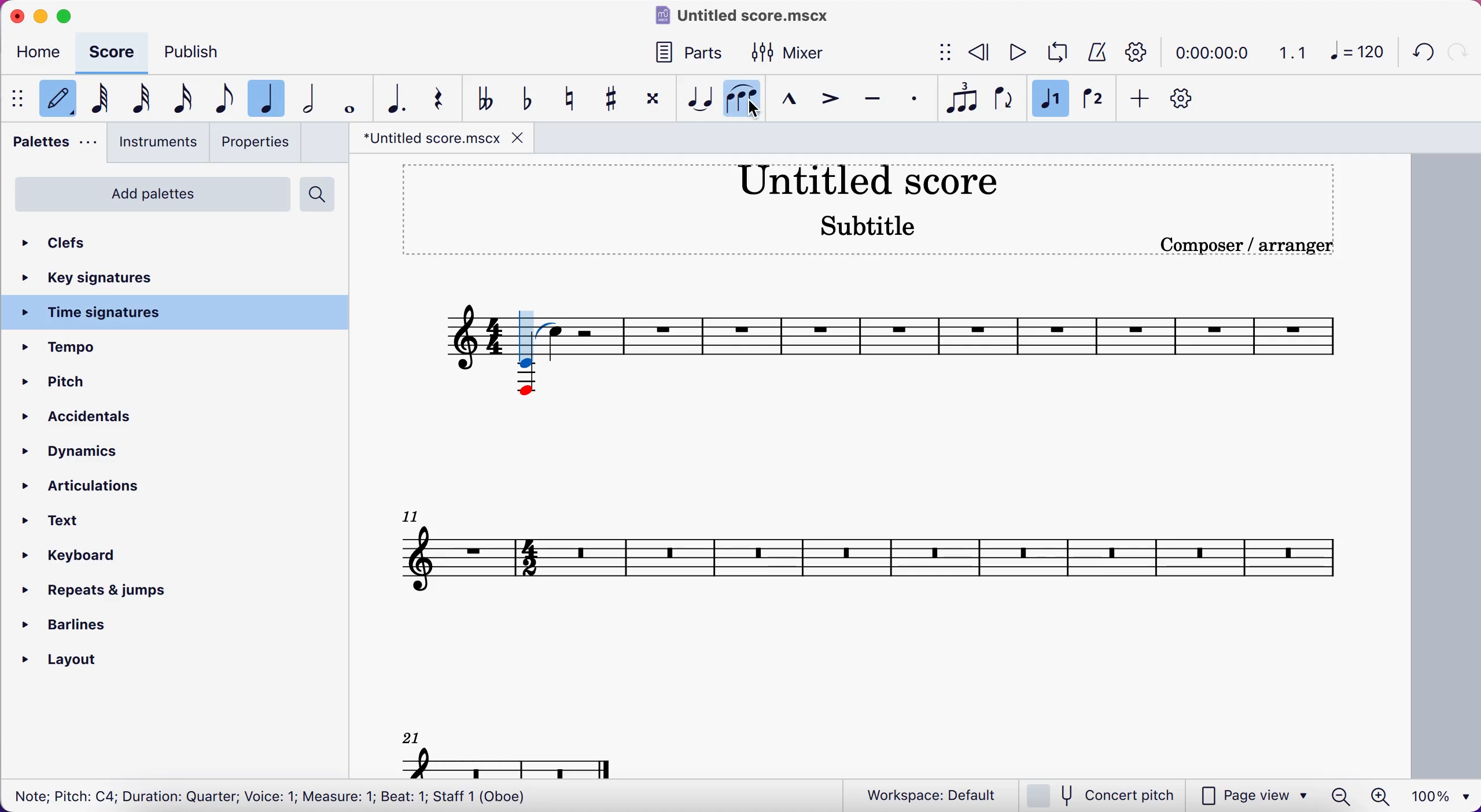 This screenshot has width=1481, height=812. I want to click on voice2, so click(1092, 102).